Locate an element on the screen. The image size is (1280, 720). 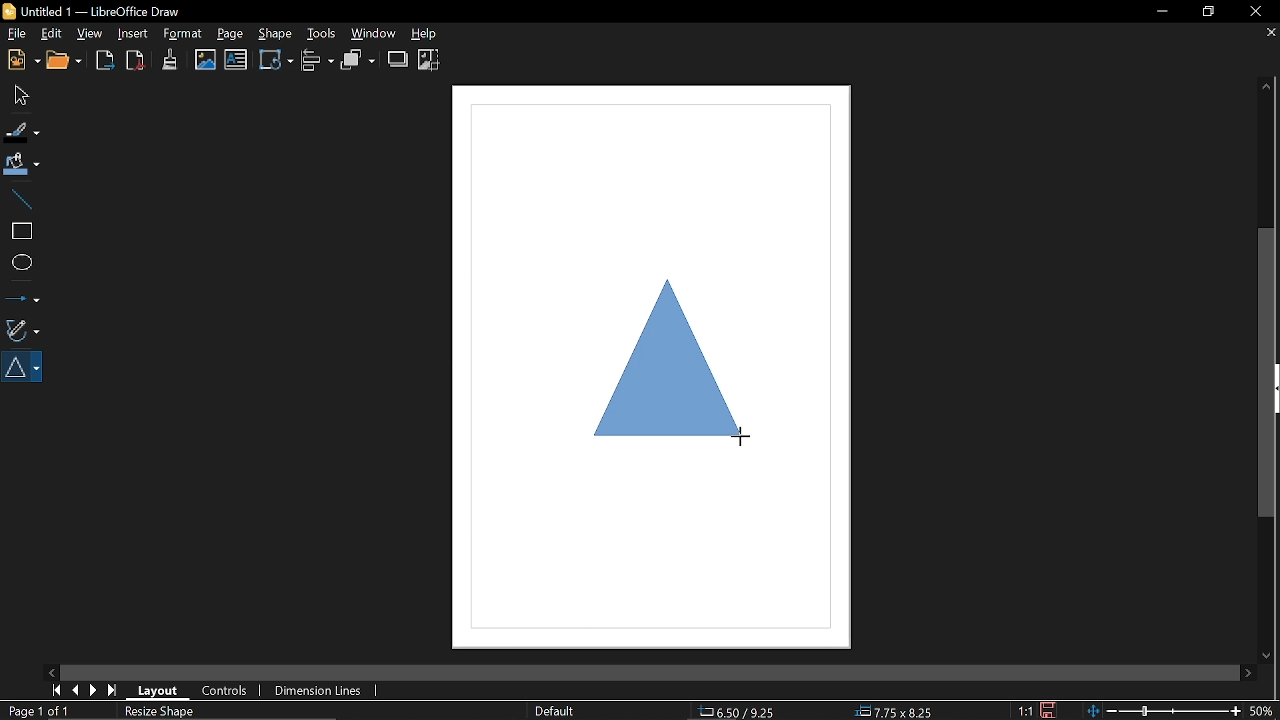
Move lfeft is located at coordinates (53, 671).